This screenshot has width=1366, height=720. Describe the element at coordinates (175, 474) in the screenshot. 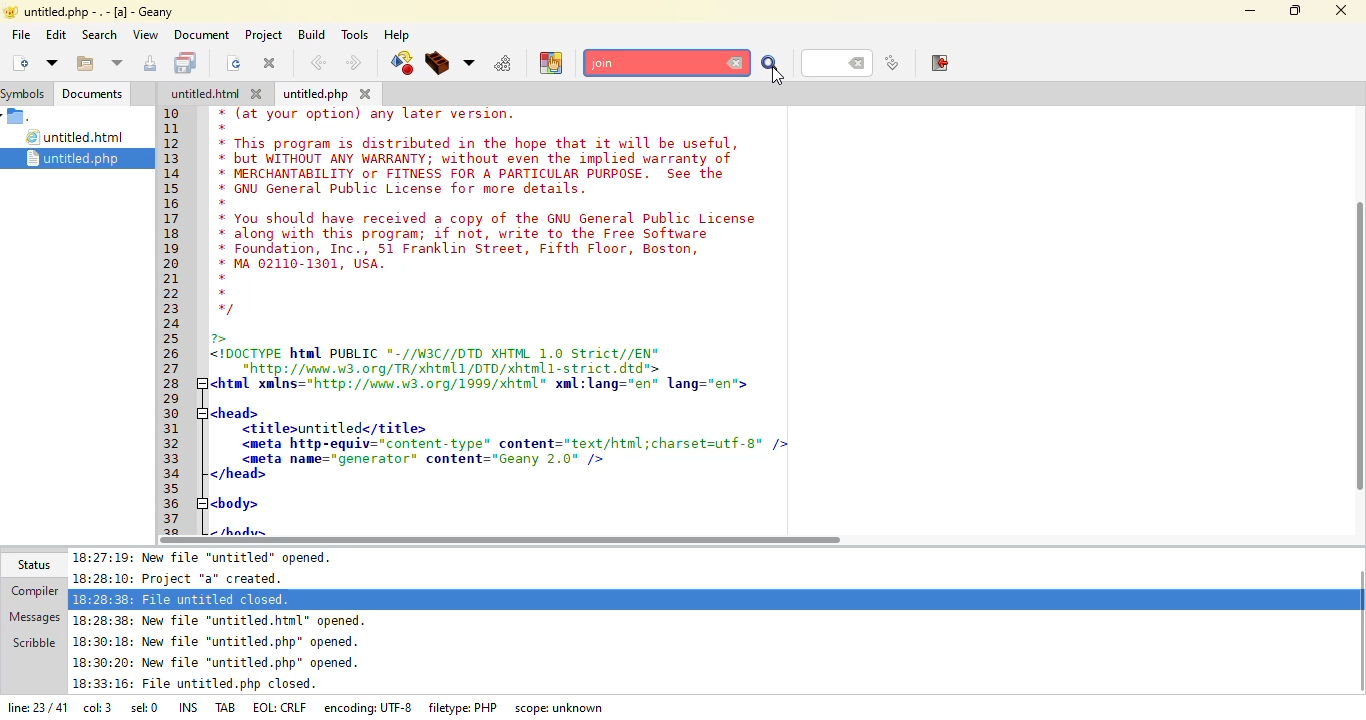

I see `34` at that location.